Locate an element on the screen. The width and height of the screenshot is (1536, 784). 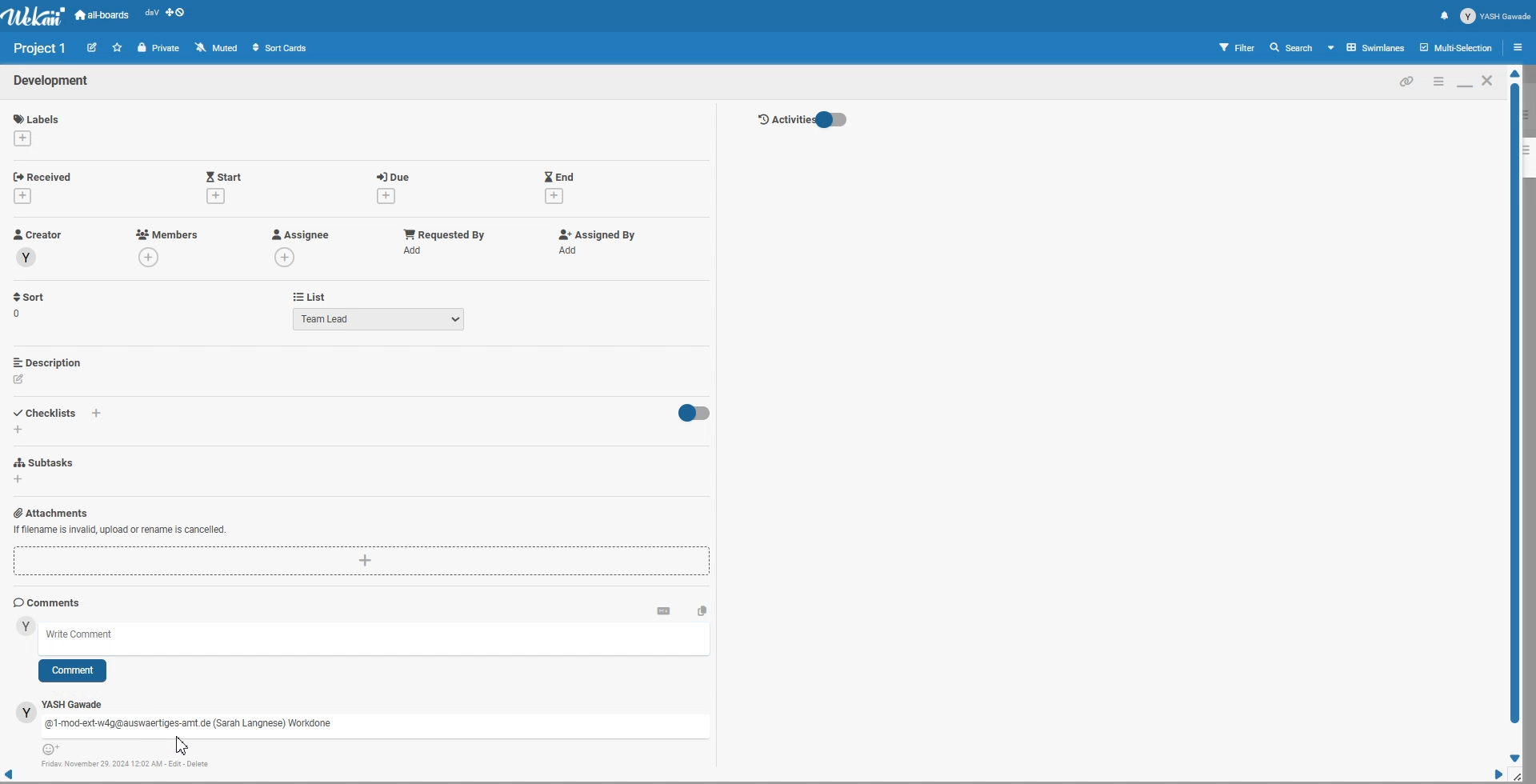
add is located at coordinates (383, 196).